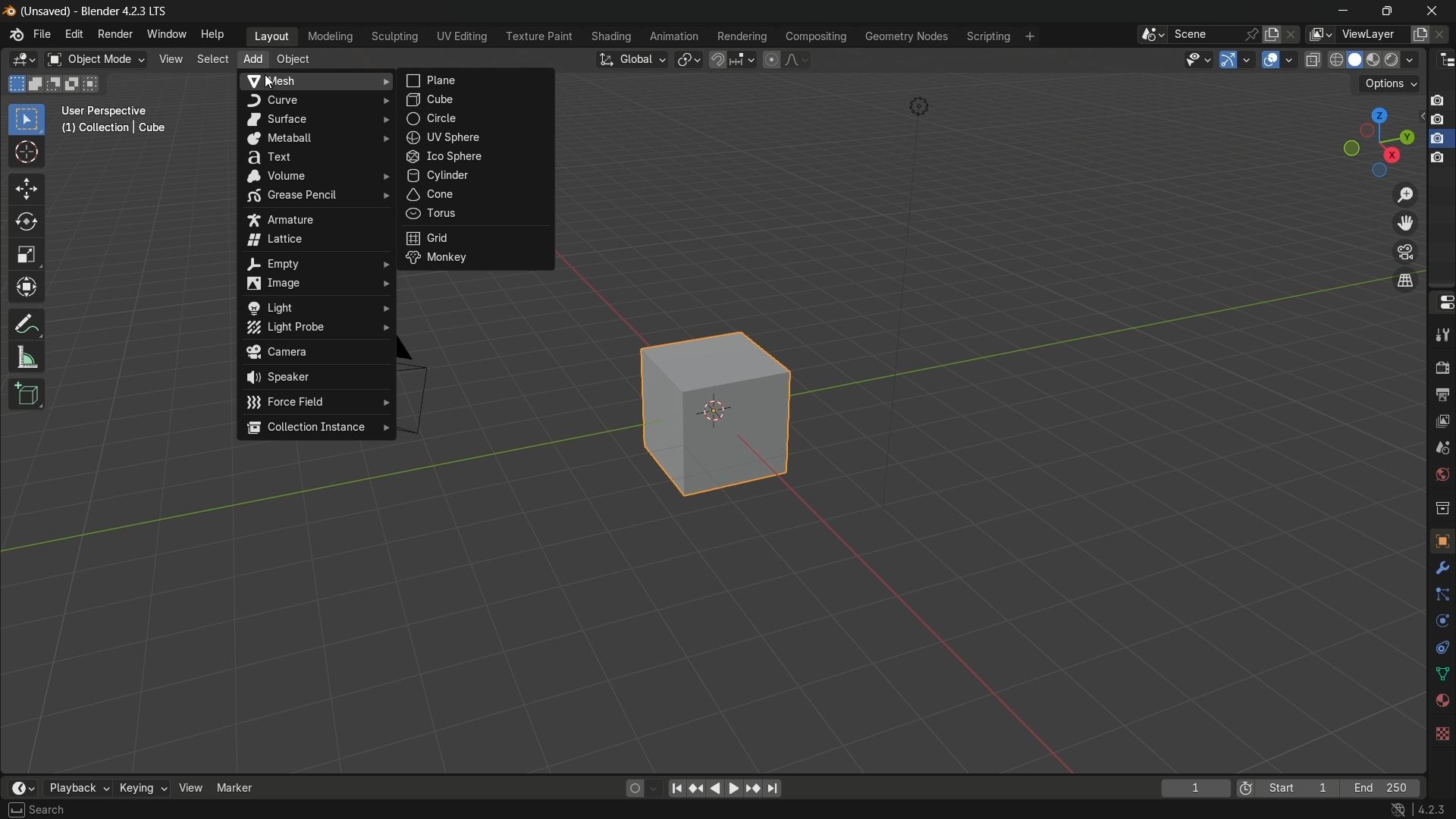  What do you see at coordinates (475, 259) in the screenshot?
I see `monkey` at bounding box center [475, 259].